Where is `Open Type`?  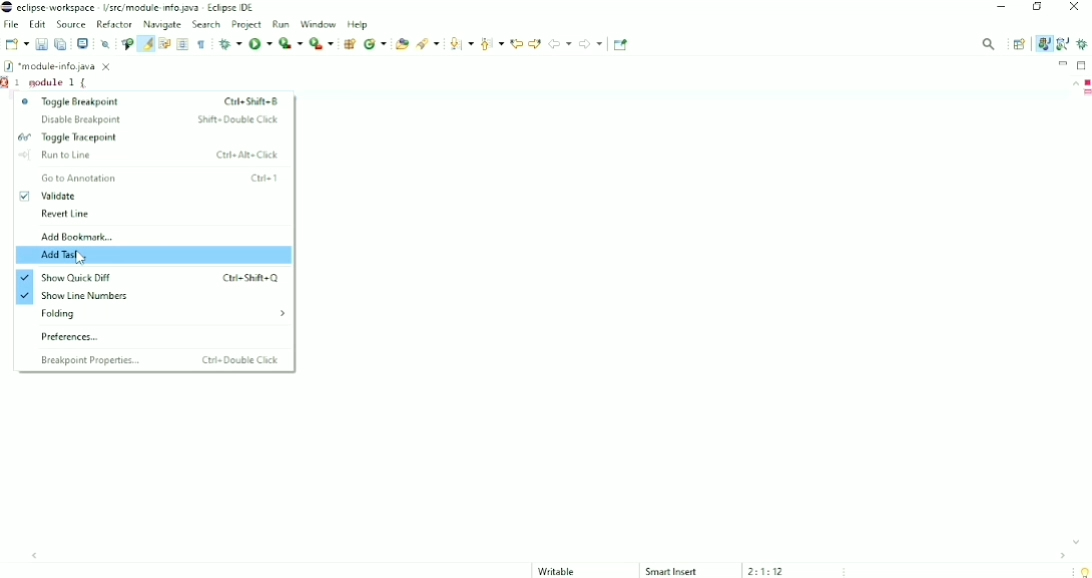
Open Type is located at coordinates (401, 44).